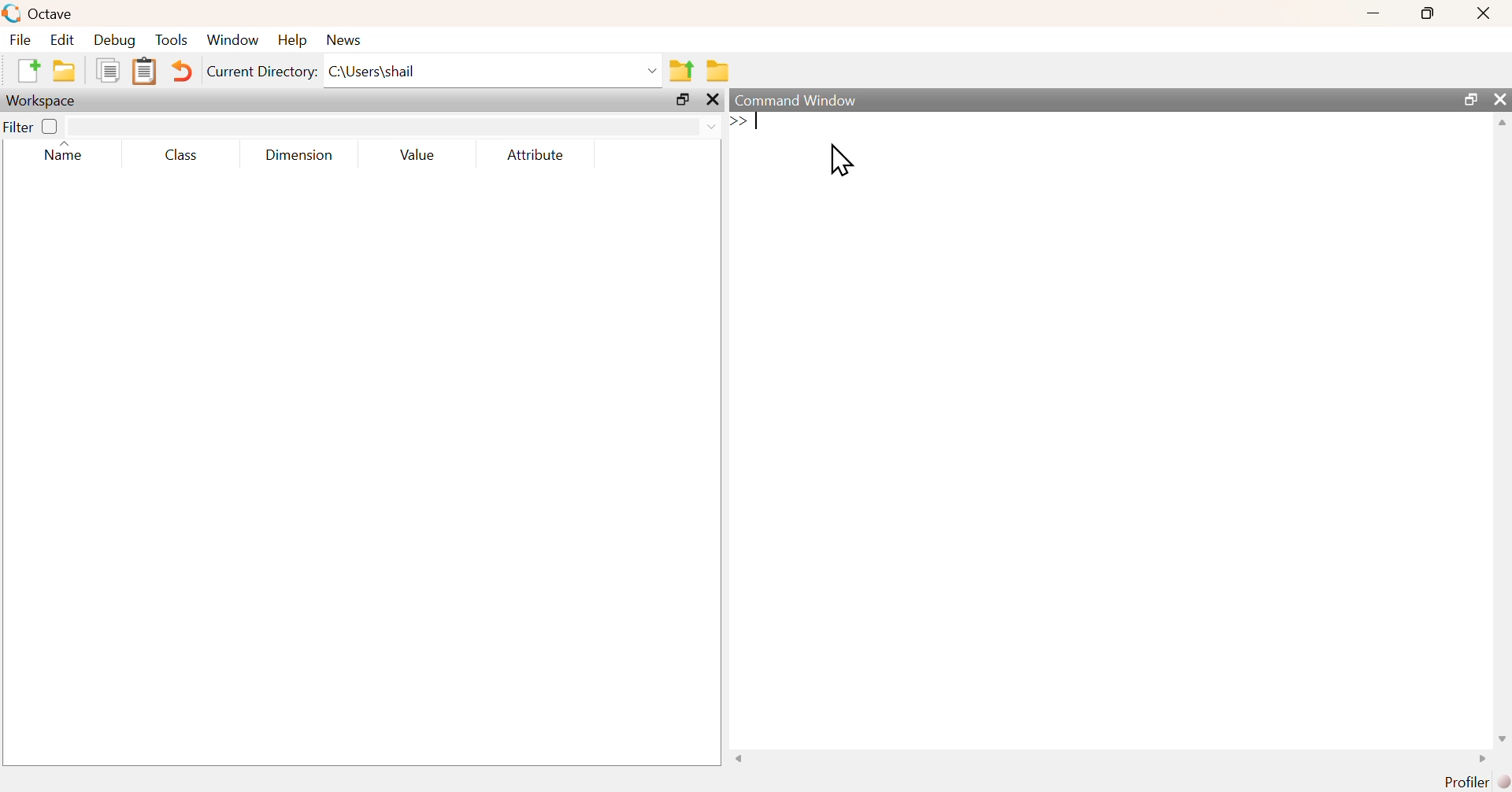 Image resolution: width=1512 pixels, height=792 pixels. What do you see at coordinates (806, 99) in the screenshot?
I see `Command Window` at bounding box center [806, 99].